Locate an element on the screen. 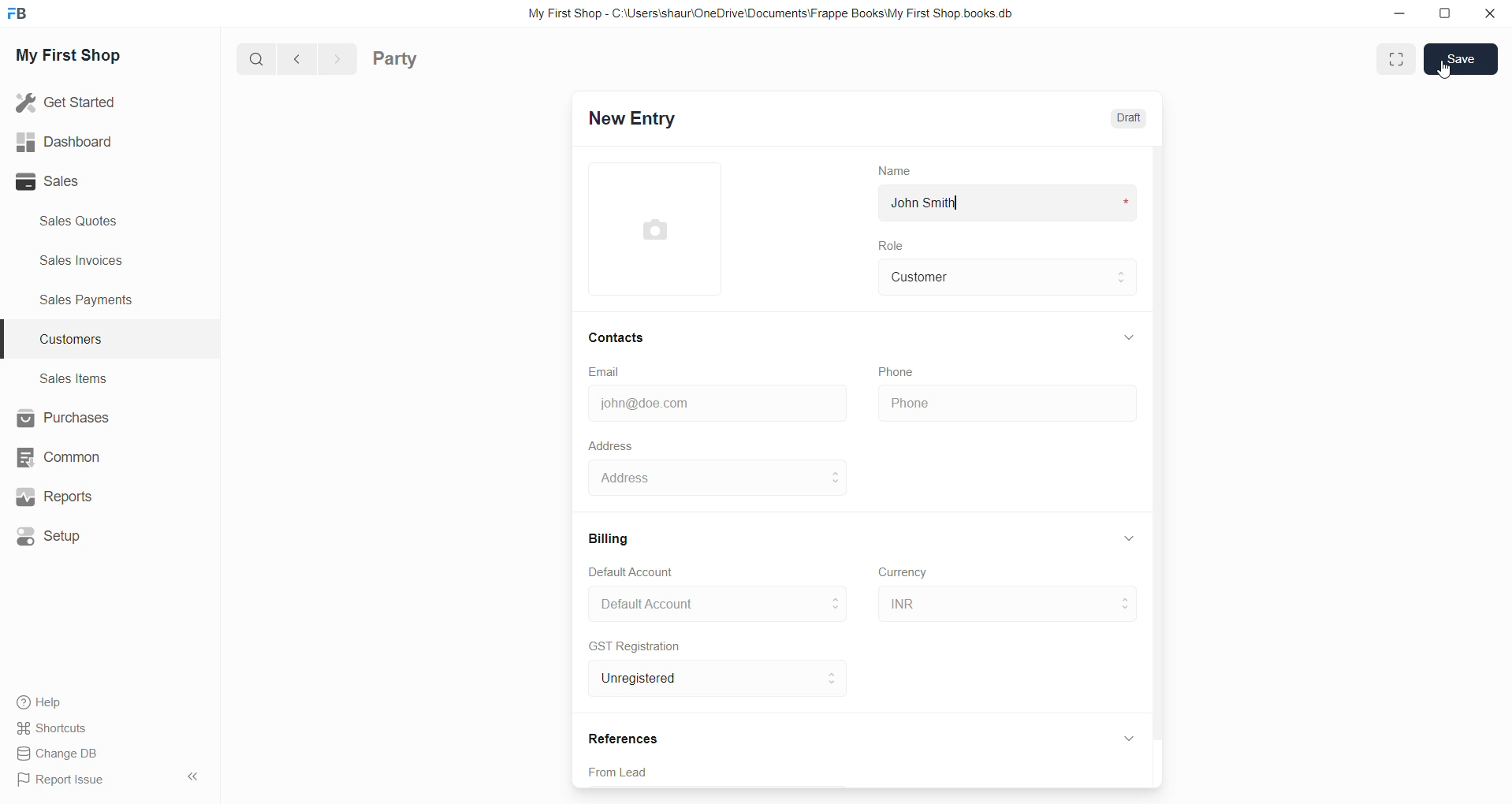  customers is located at coordinates (83, 341).